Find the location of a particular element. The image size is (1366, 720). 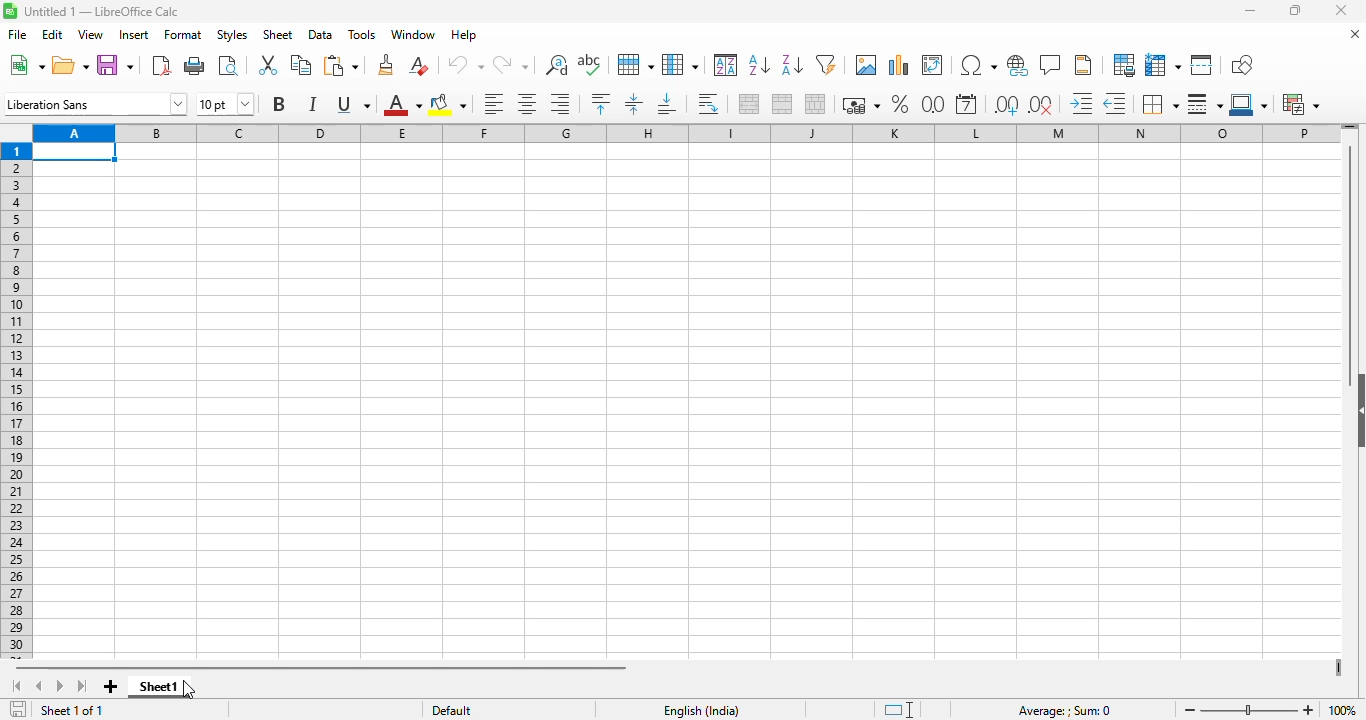

view is located at coordinates (90, 34).